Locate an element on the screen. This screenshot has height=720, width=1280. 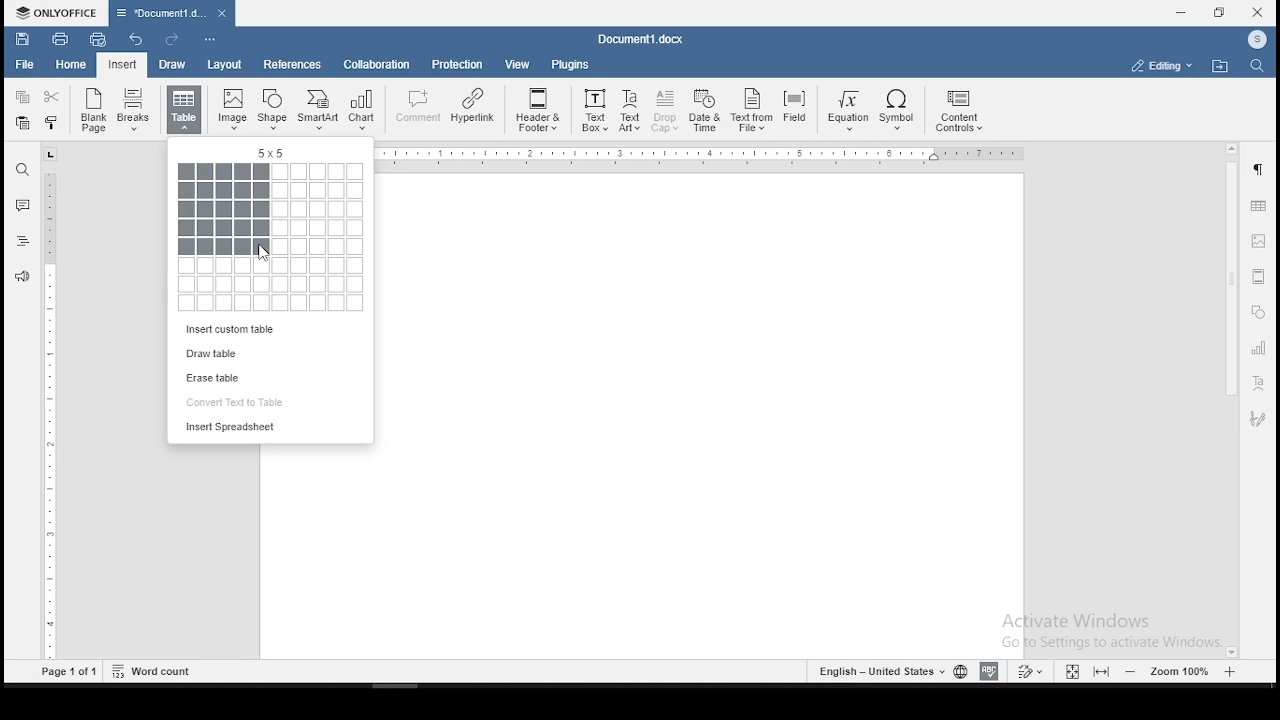
headers & footers is located at coordinates (1258, 276).